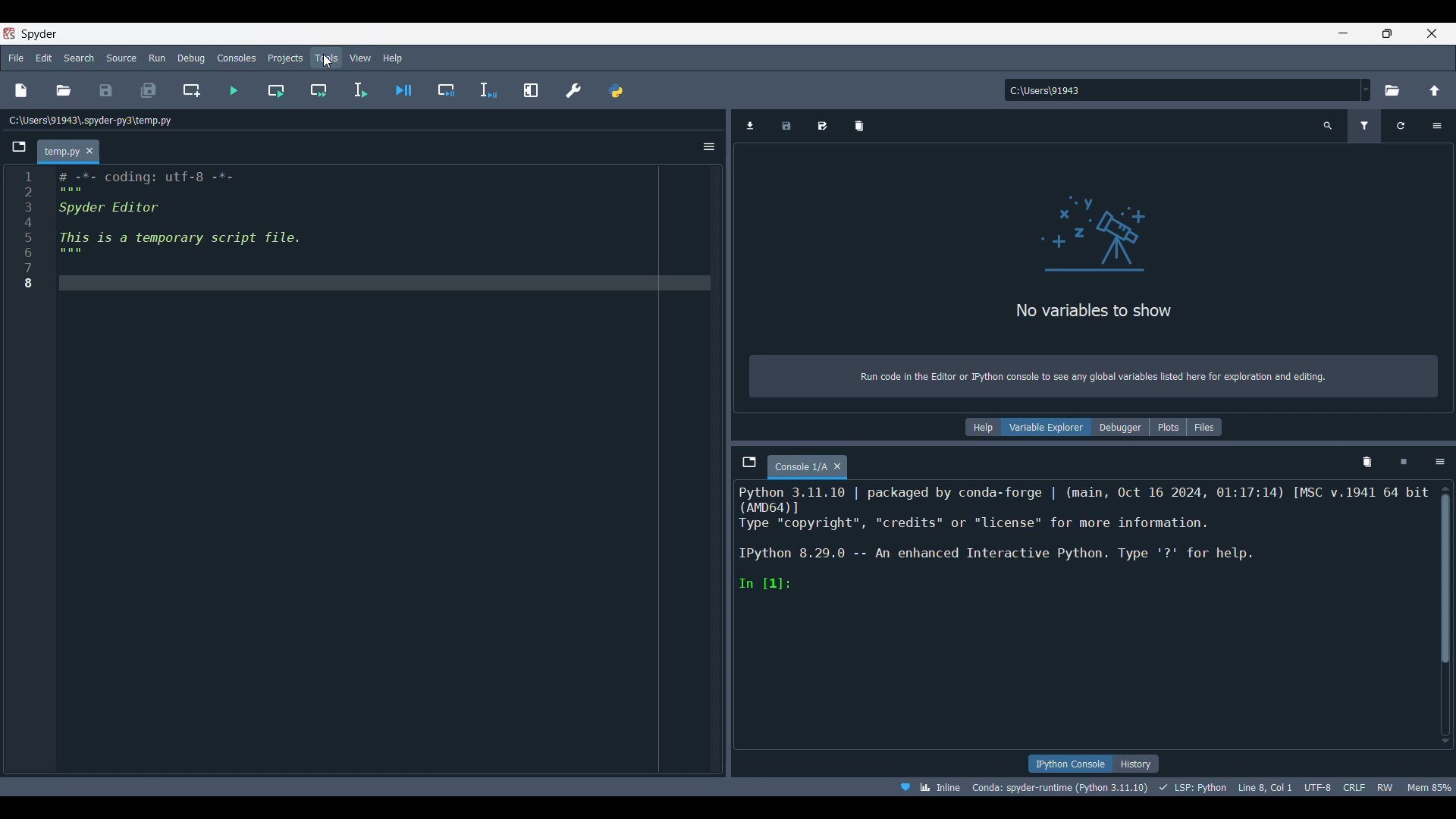 This screenshot has height=819, width=1456. I want to click on Software name, so click(39, 34).